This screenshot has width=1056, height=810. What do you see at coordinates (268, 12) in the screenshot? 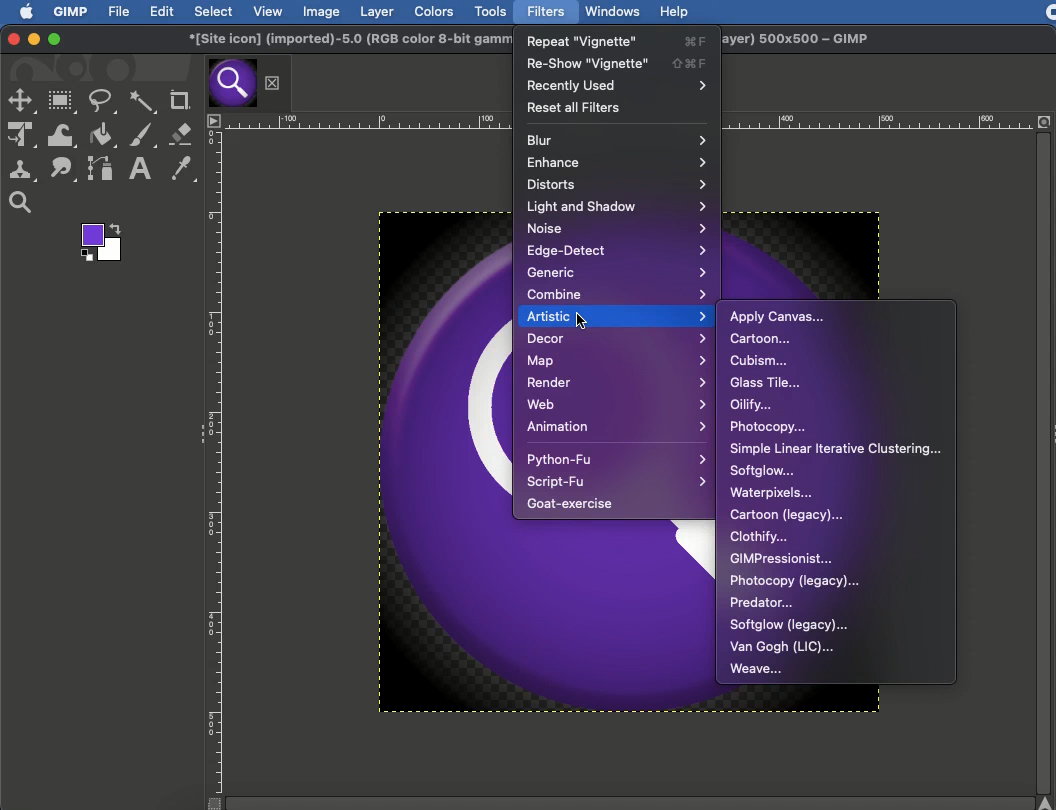
I see `View` at bounding box center [268, 12].